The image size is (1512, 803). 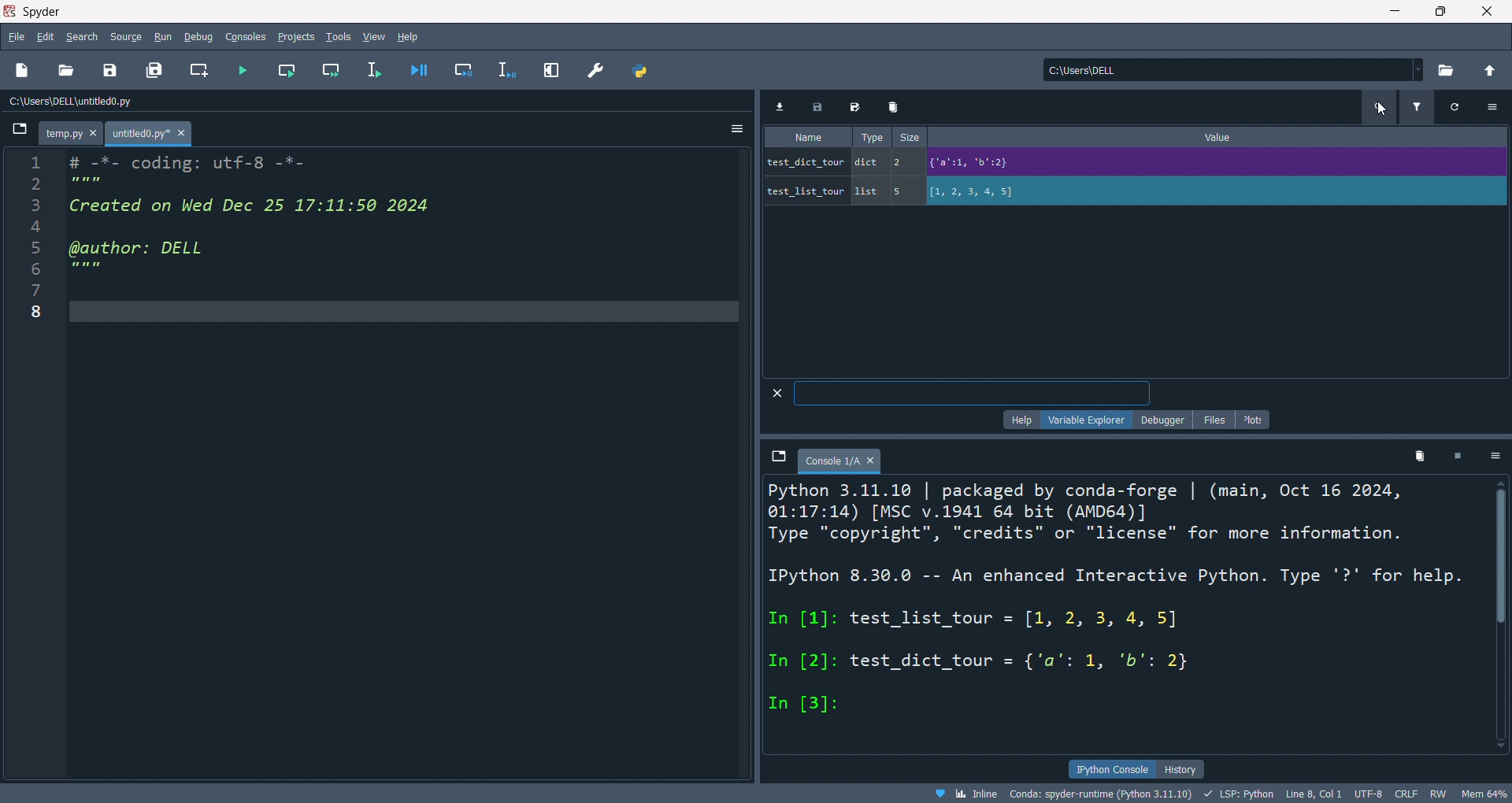 What do you see at coordinates (35, 468) in the screenshot?
I see `line number` at bounding box center [35, 468].